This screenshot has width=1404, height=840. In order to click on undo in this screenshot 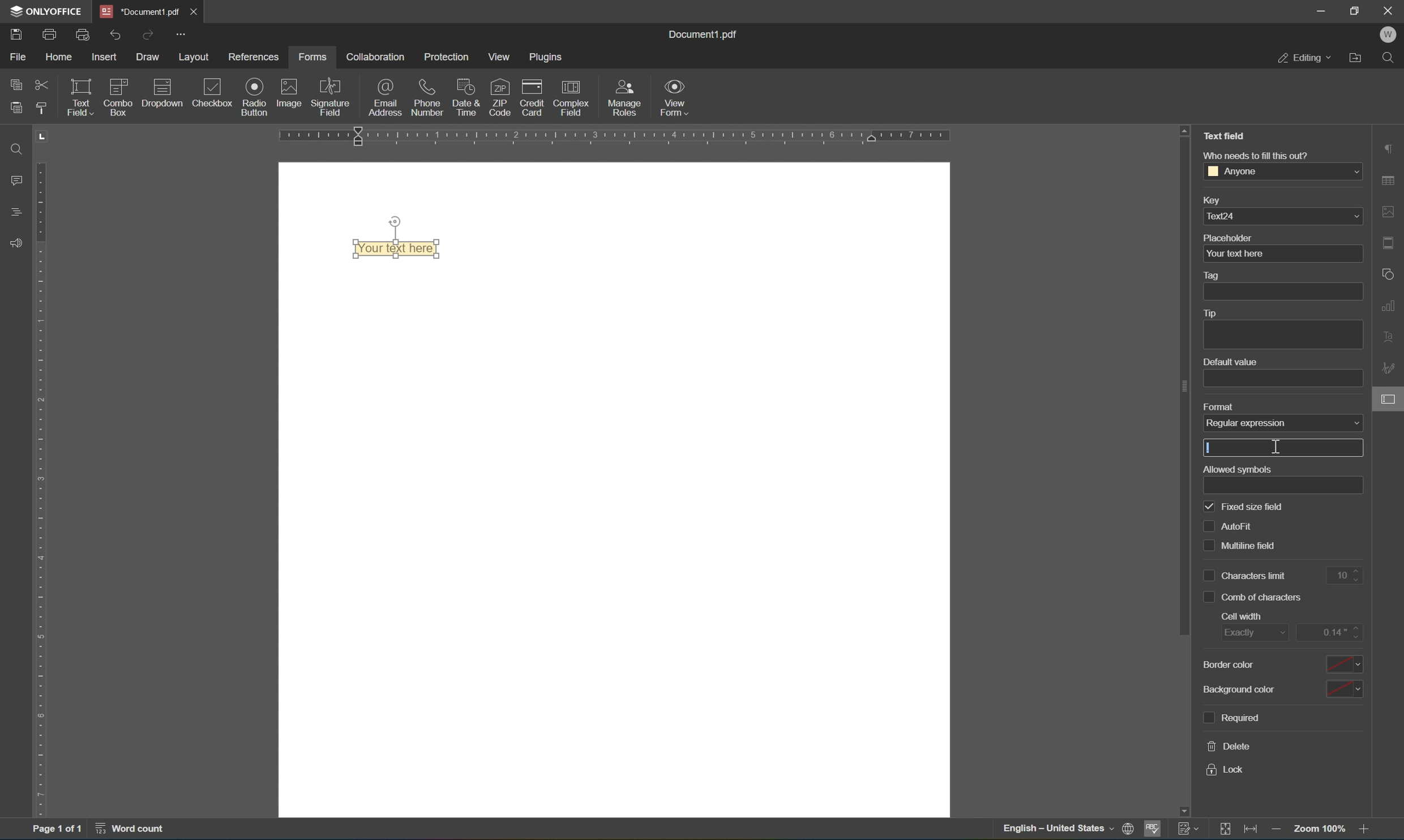, I will do `click(115, 36)`.